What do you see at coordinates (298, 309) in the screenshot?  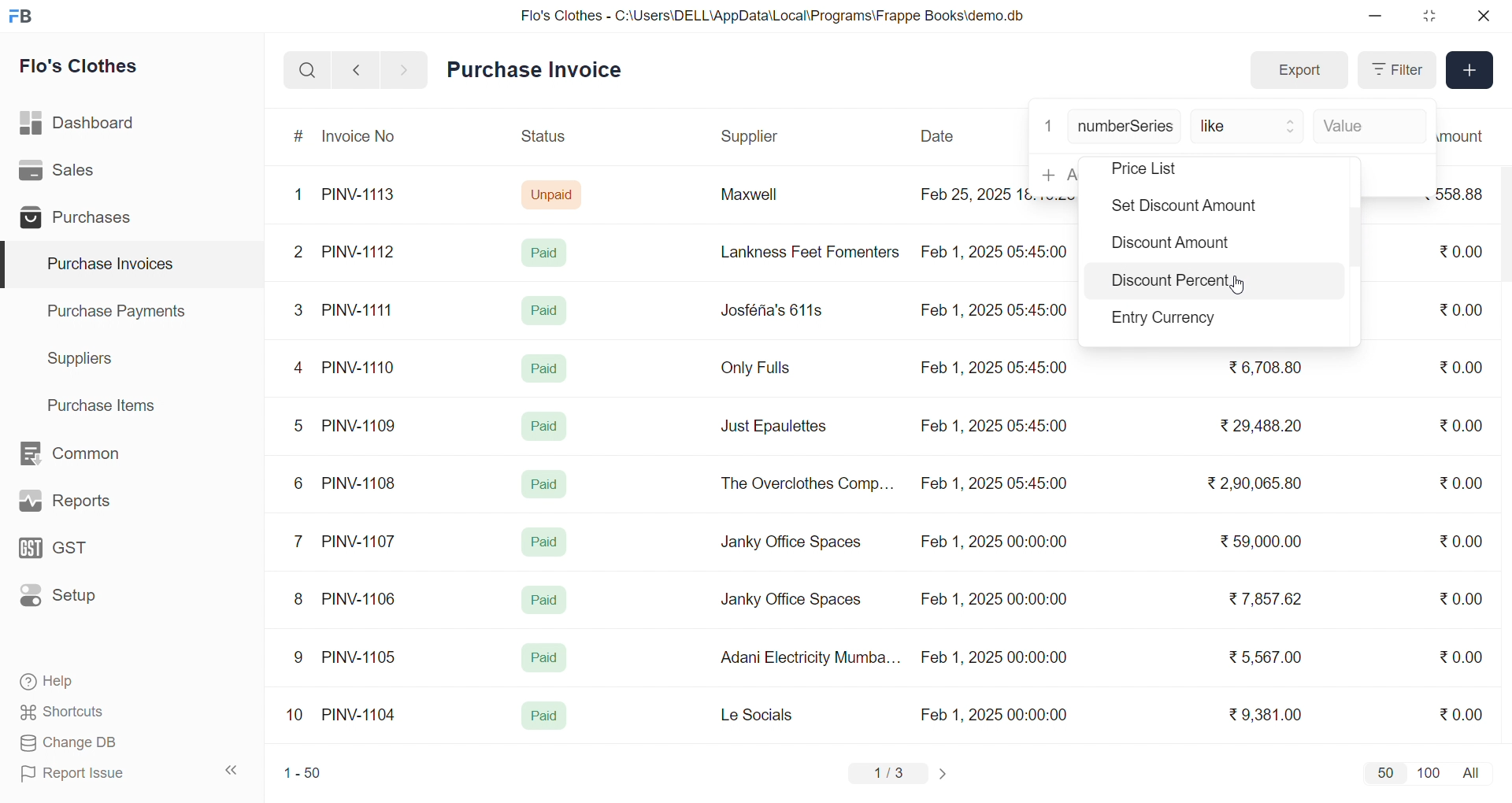 I see `3` at bounding box center [298, 309].